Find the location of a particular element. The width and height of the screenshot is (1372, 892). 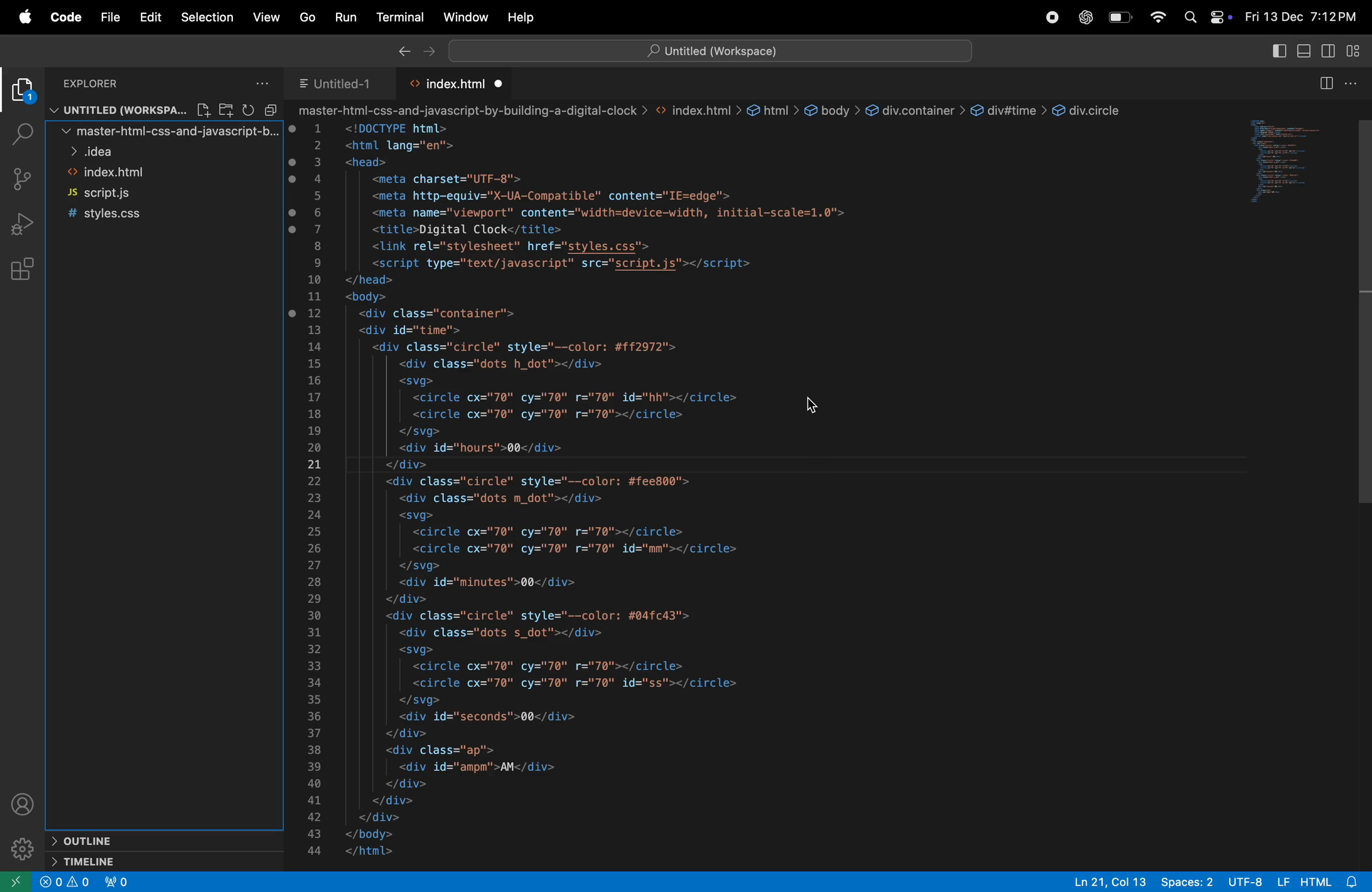

toggle secondary side bar is located at coordinates (1330, 52).